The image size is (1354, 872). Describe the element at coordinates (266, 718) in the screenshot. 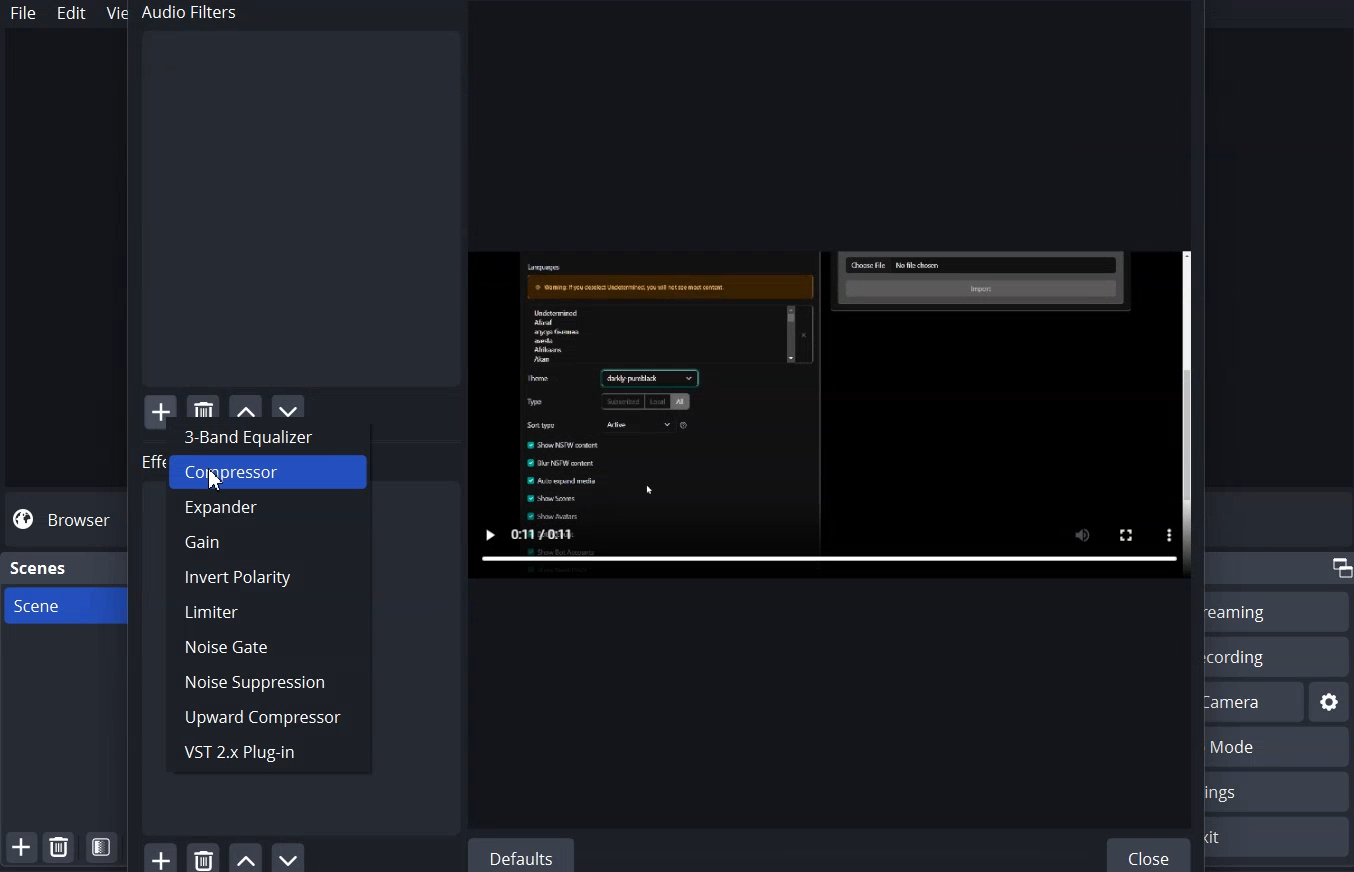

I see `Upward Compressor` at that location.